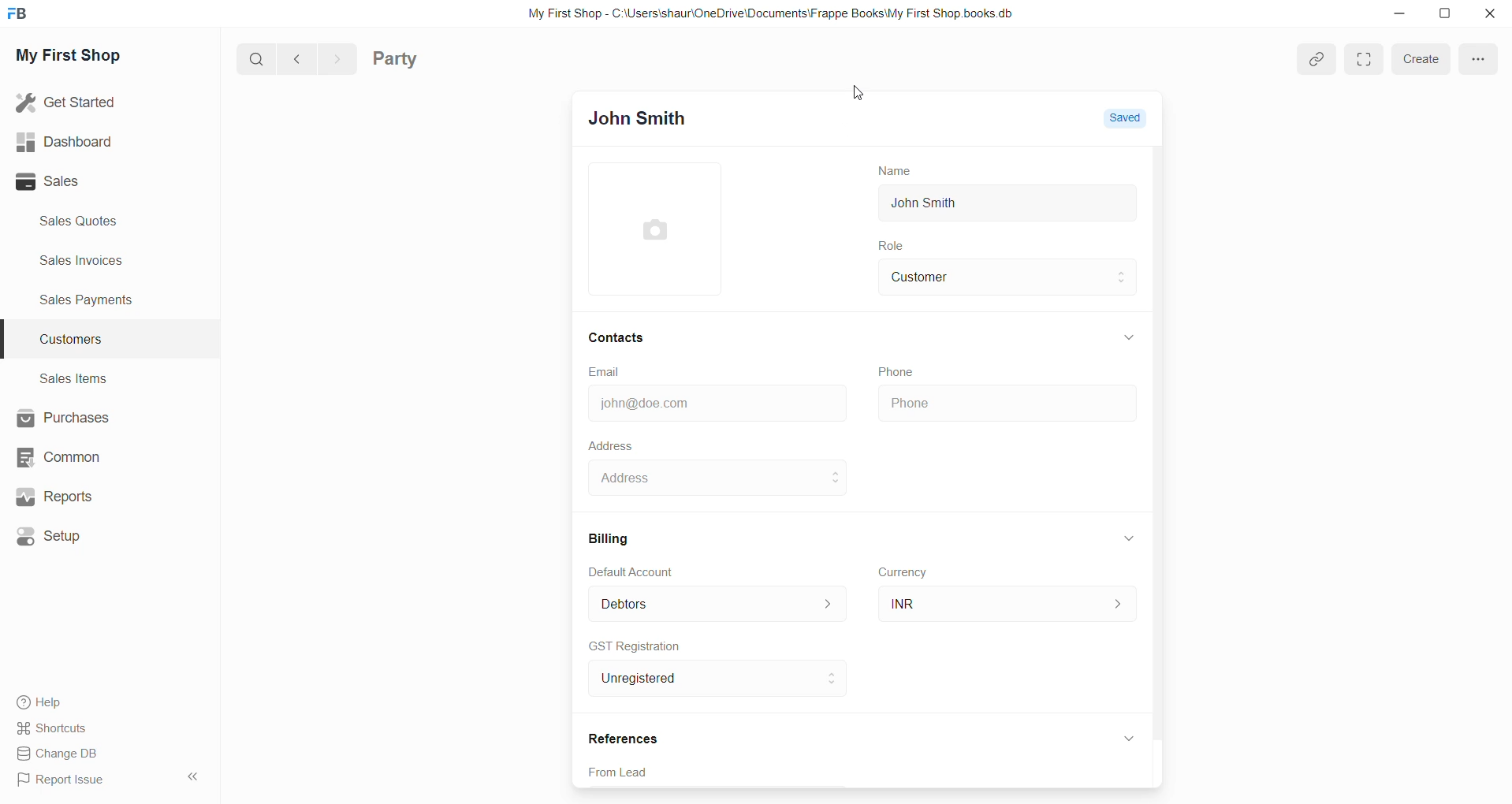 This screenshot has width=1512, height=804. Describe the element at coordinates (61, 458) in the screenshot. I see `Common` at that location.